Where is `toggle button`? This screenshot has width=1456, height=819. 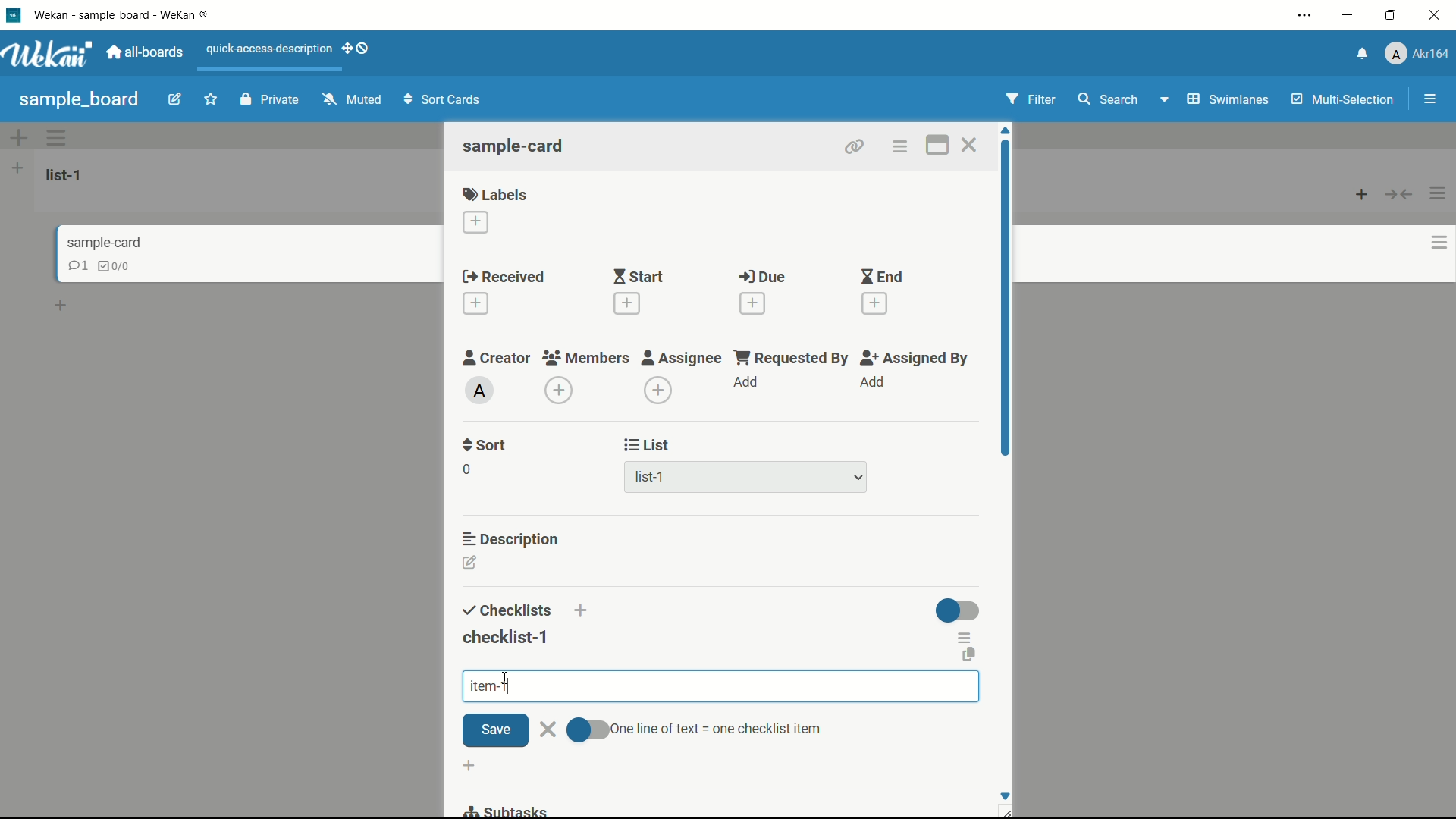 toggle button is located at coordinates (585, 731).